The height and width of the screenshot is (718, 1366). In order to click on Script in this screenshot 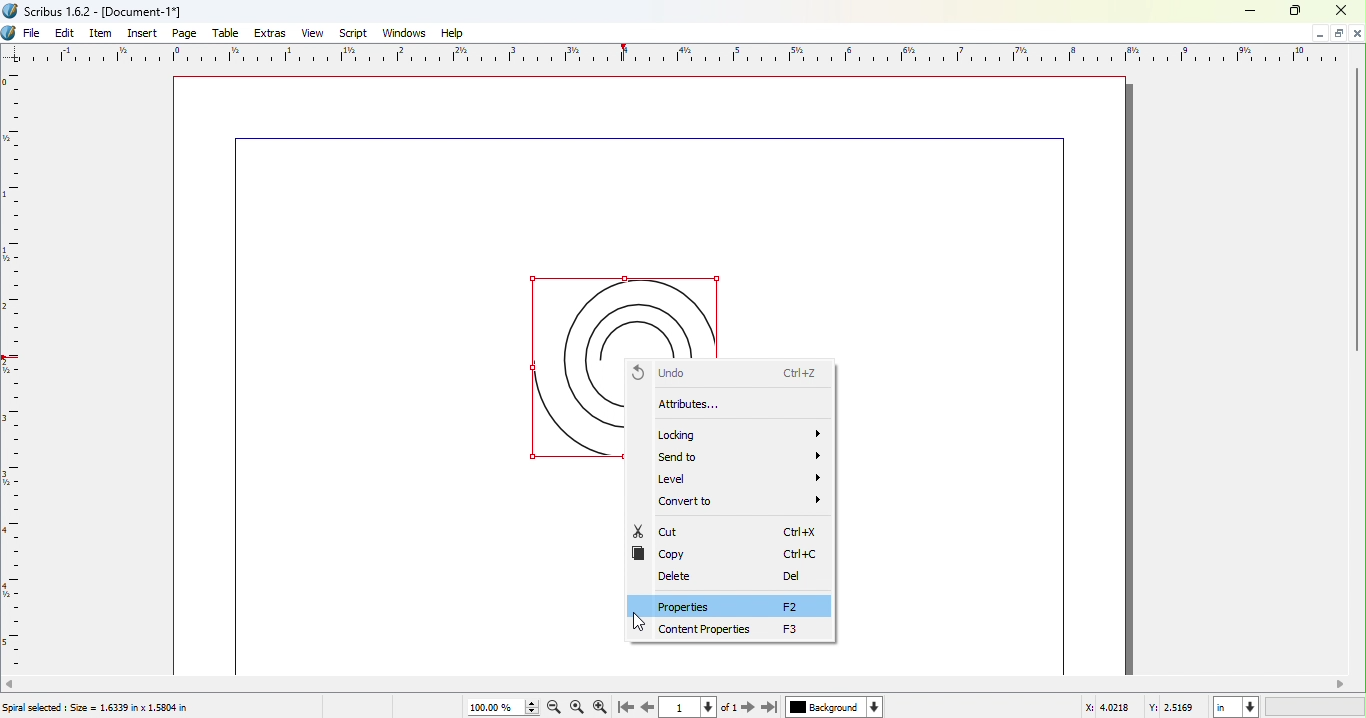, I will do `click(353, 32)`.